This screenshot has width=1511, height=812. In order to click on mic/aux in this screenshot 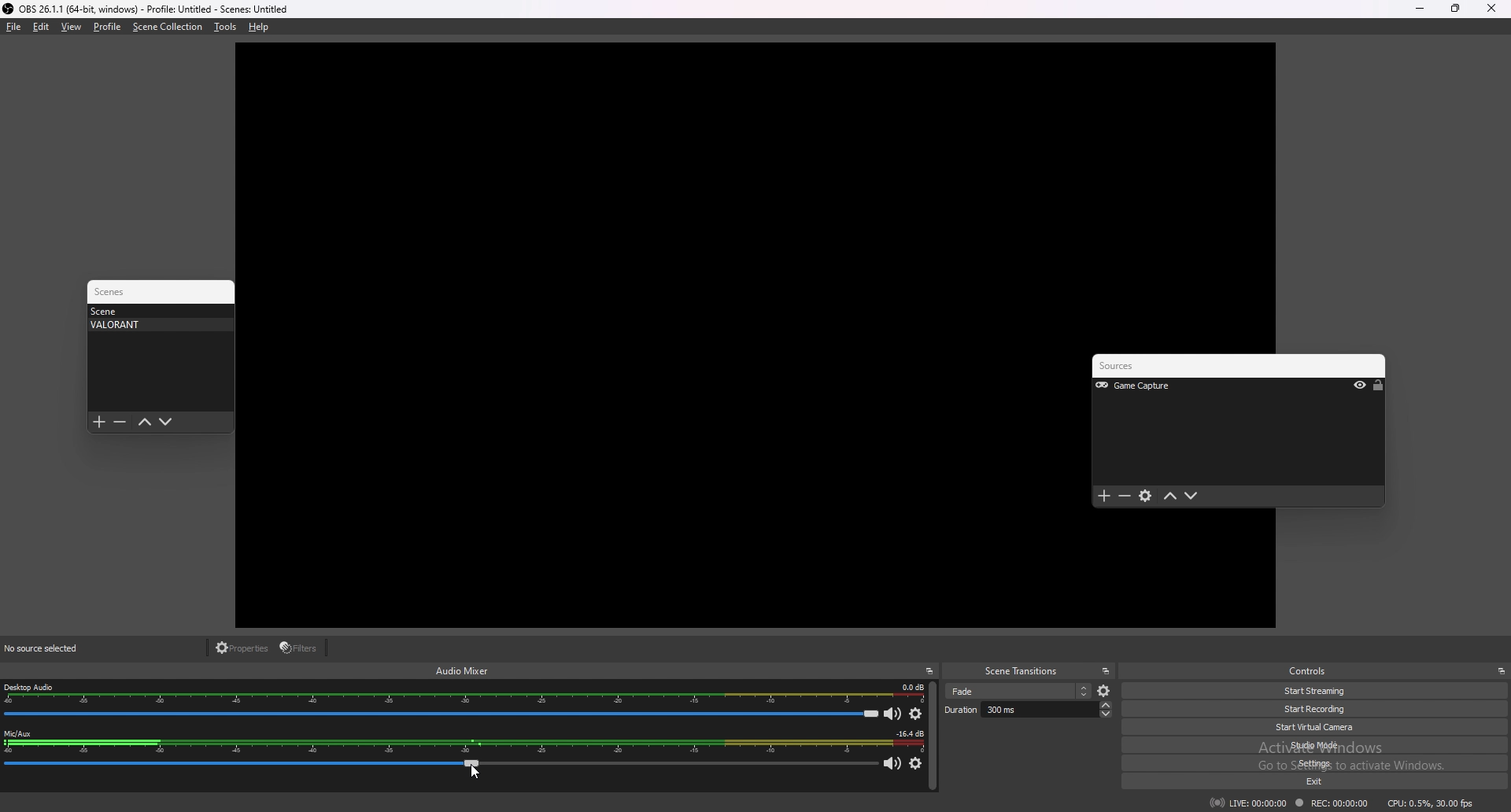, I will do `click(463, 743)`.